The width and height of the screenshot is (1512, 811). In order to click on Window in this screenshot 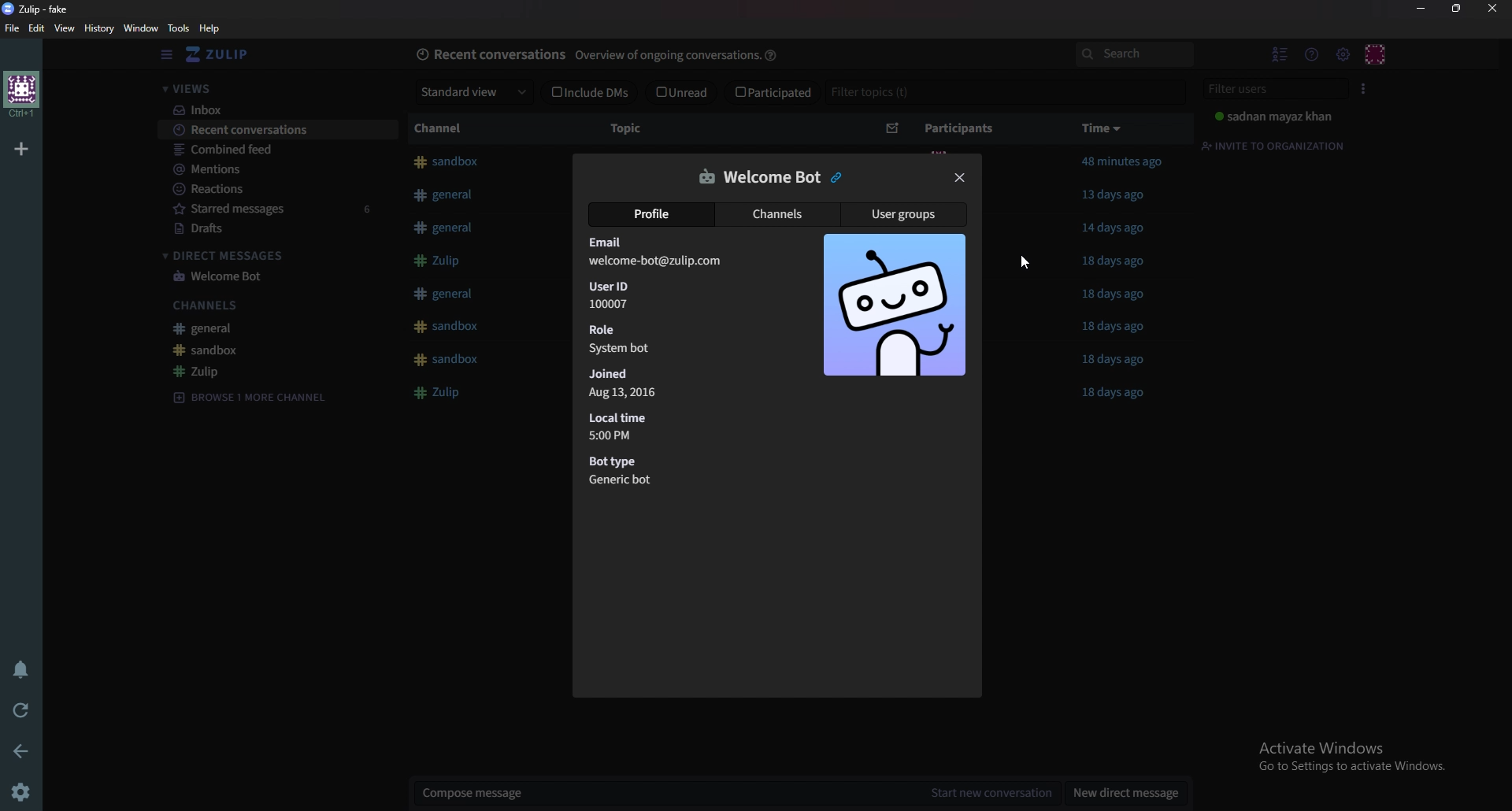, I will do `click(141, 29)`.